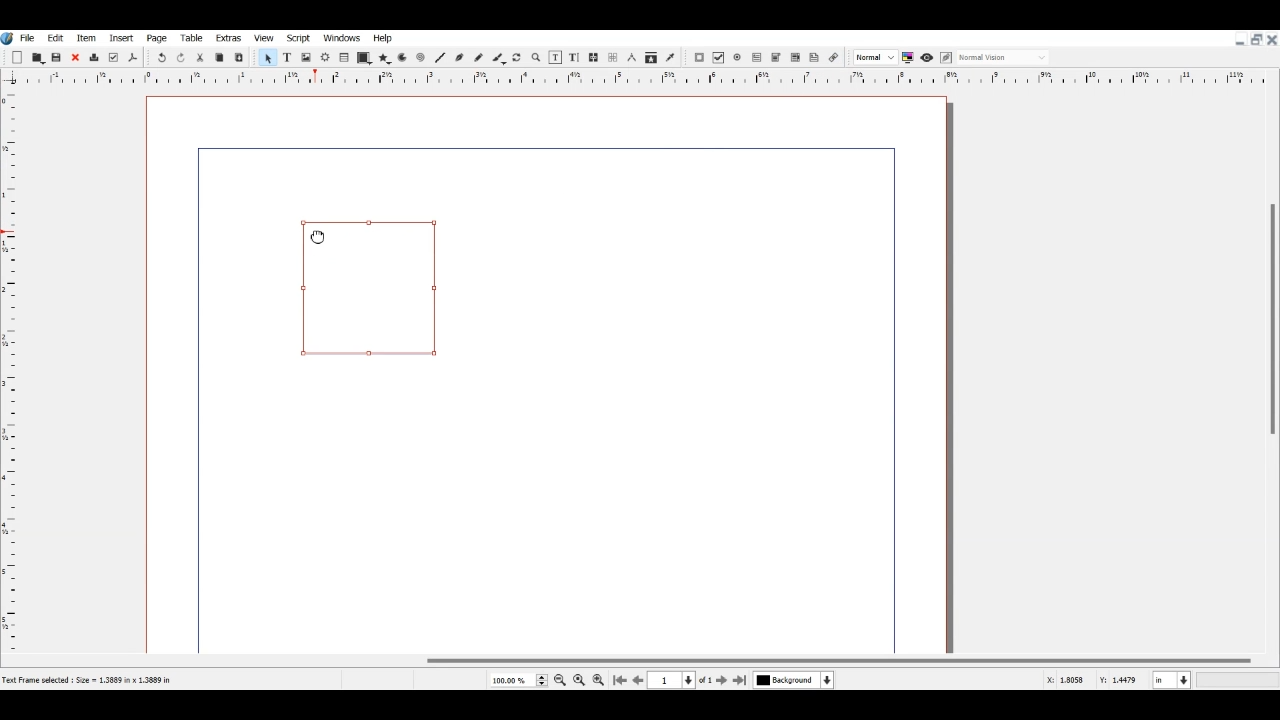 The width and height of the screenshot is (1280, 720). I want to click on Copy item properties, so click(651, 59).